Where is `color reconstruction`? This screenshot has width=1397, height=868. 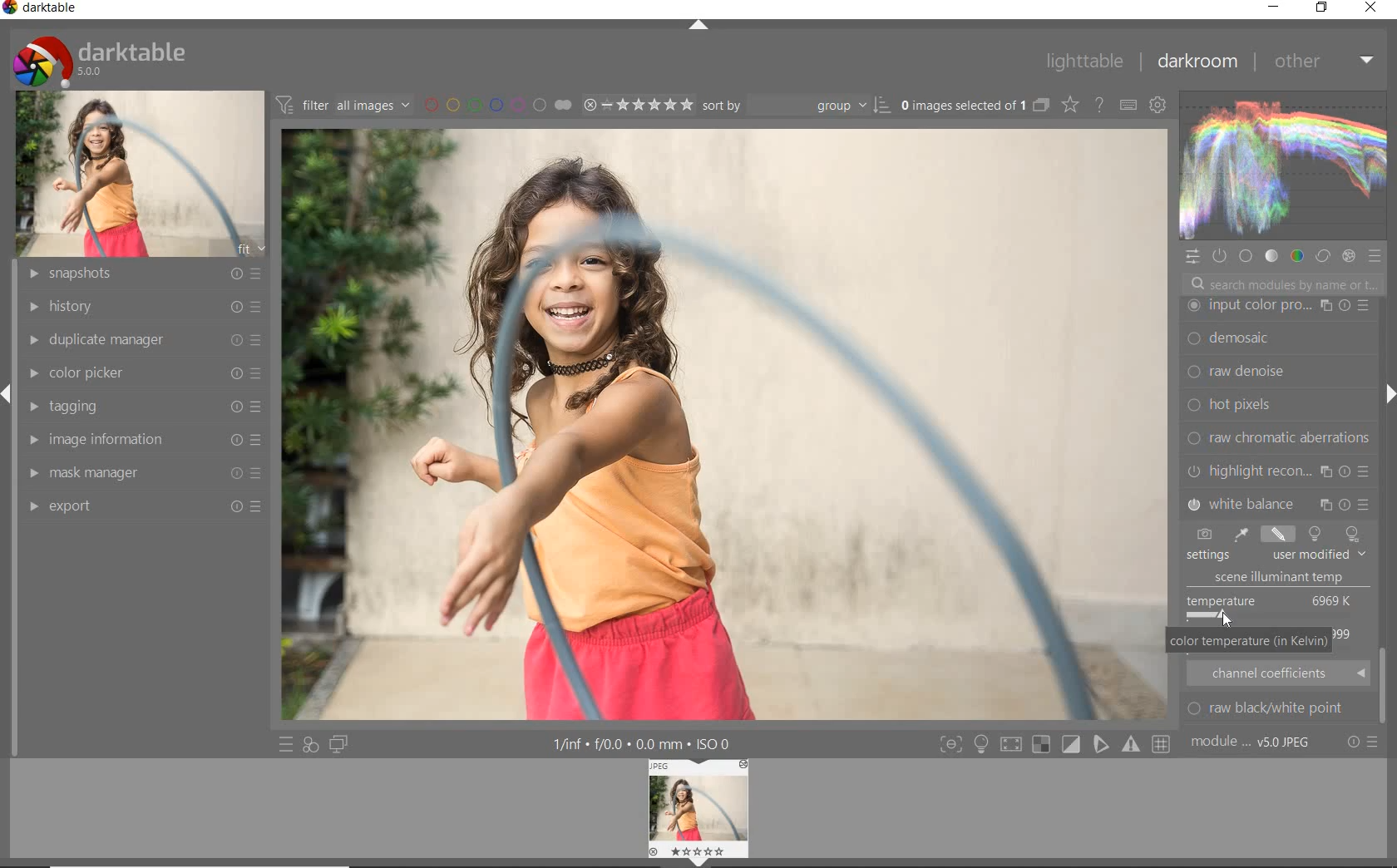 color reconstruction is located at coordinates (1281, 437).